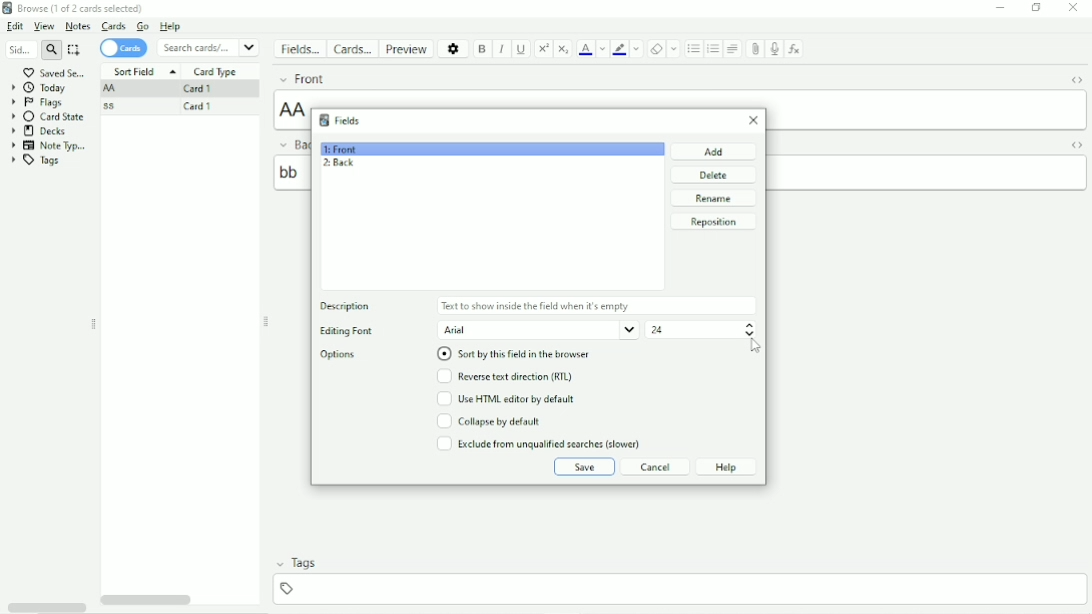  I want to click on AA, so click(112, 89).